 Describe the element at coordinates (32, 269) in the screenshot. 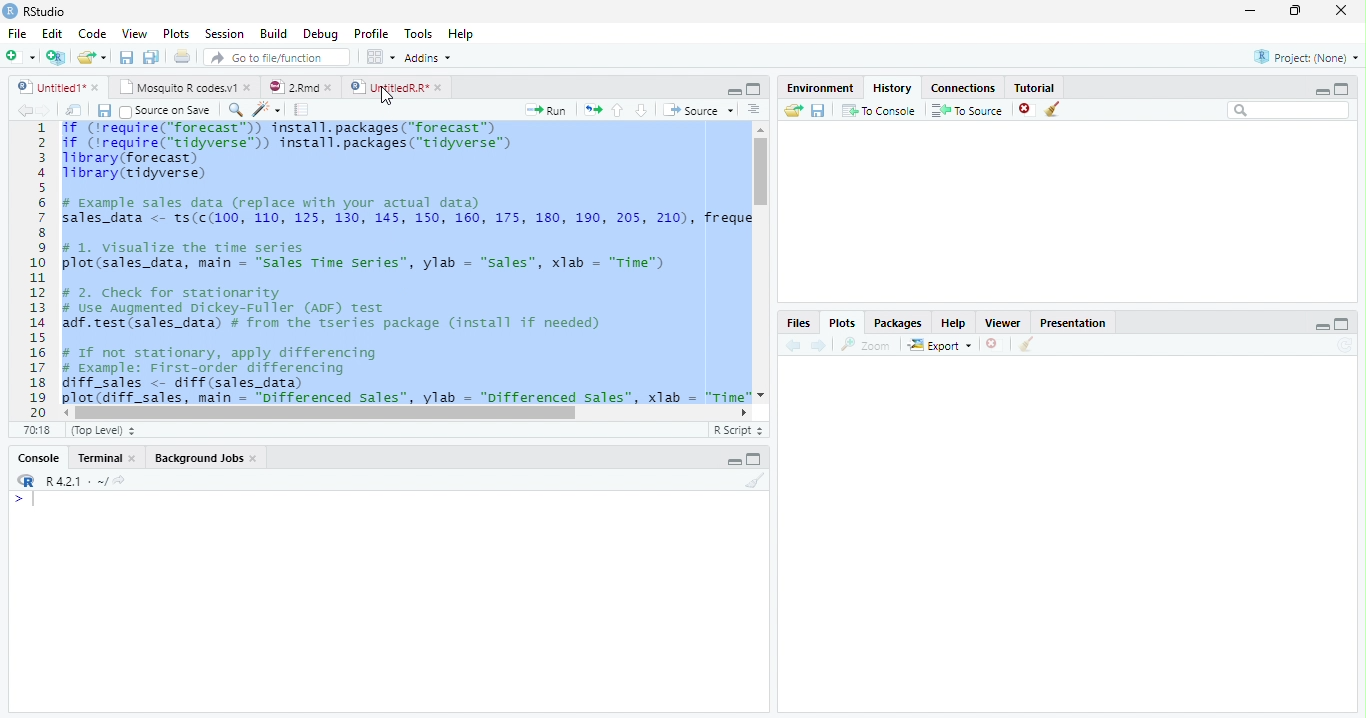

I see `Row number` at that location.